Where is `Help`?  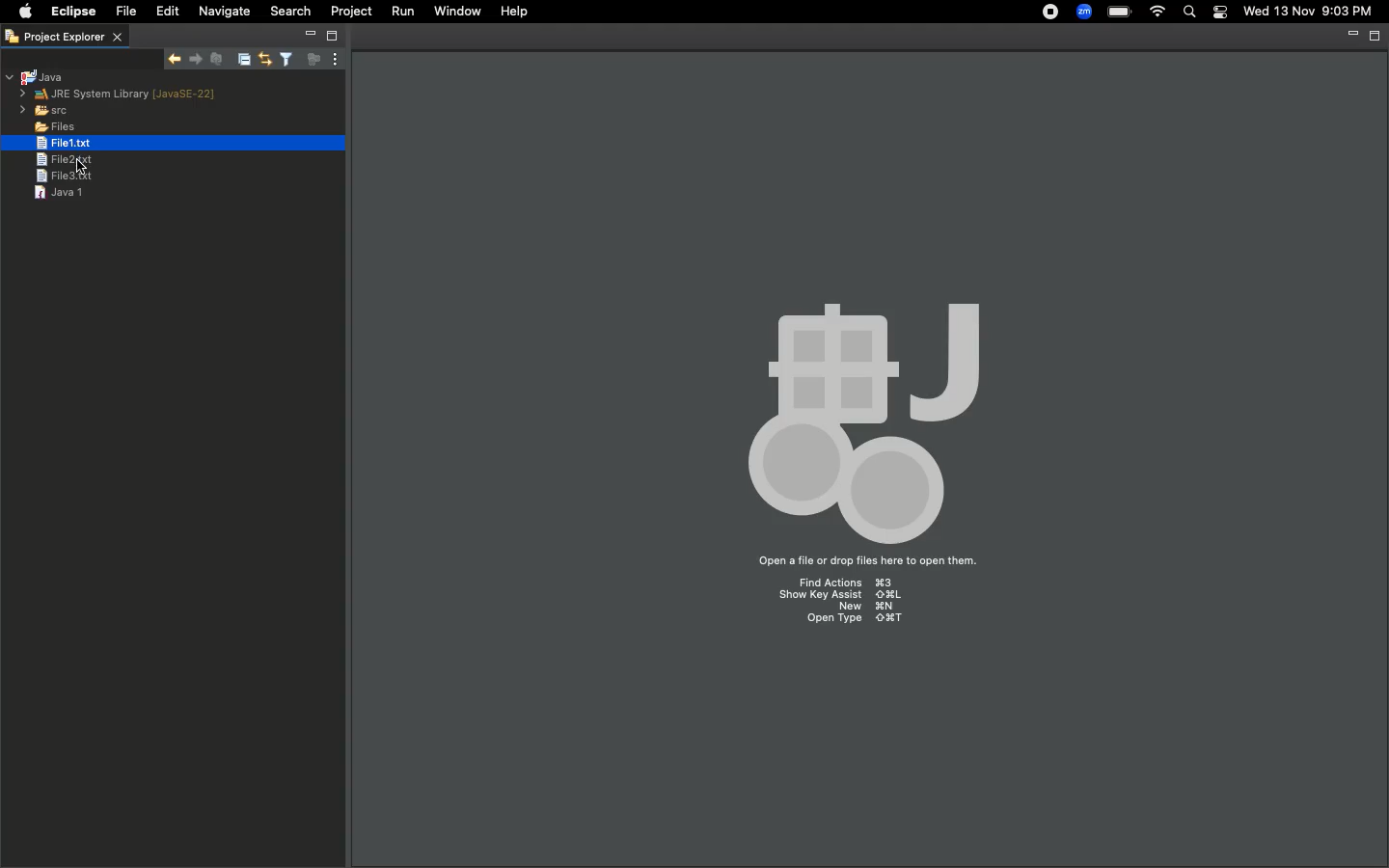
Help is located at coordinates (515, 12).